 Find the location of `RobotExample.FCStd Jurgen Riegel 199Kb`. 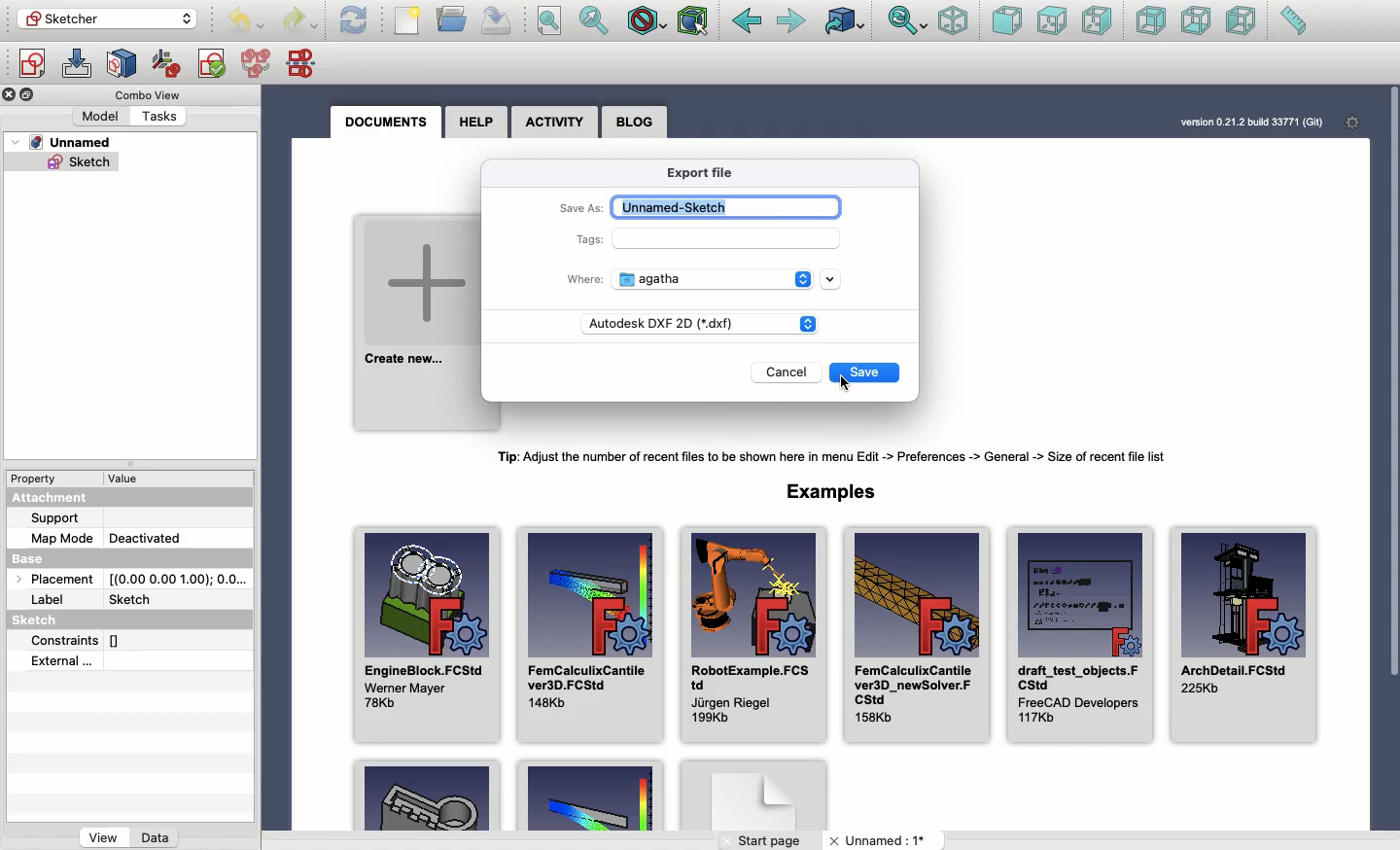

RobotExample.FCStd Jurgen Riegel 199Kb is located at coordinates (752, 633).